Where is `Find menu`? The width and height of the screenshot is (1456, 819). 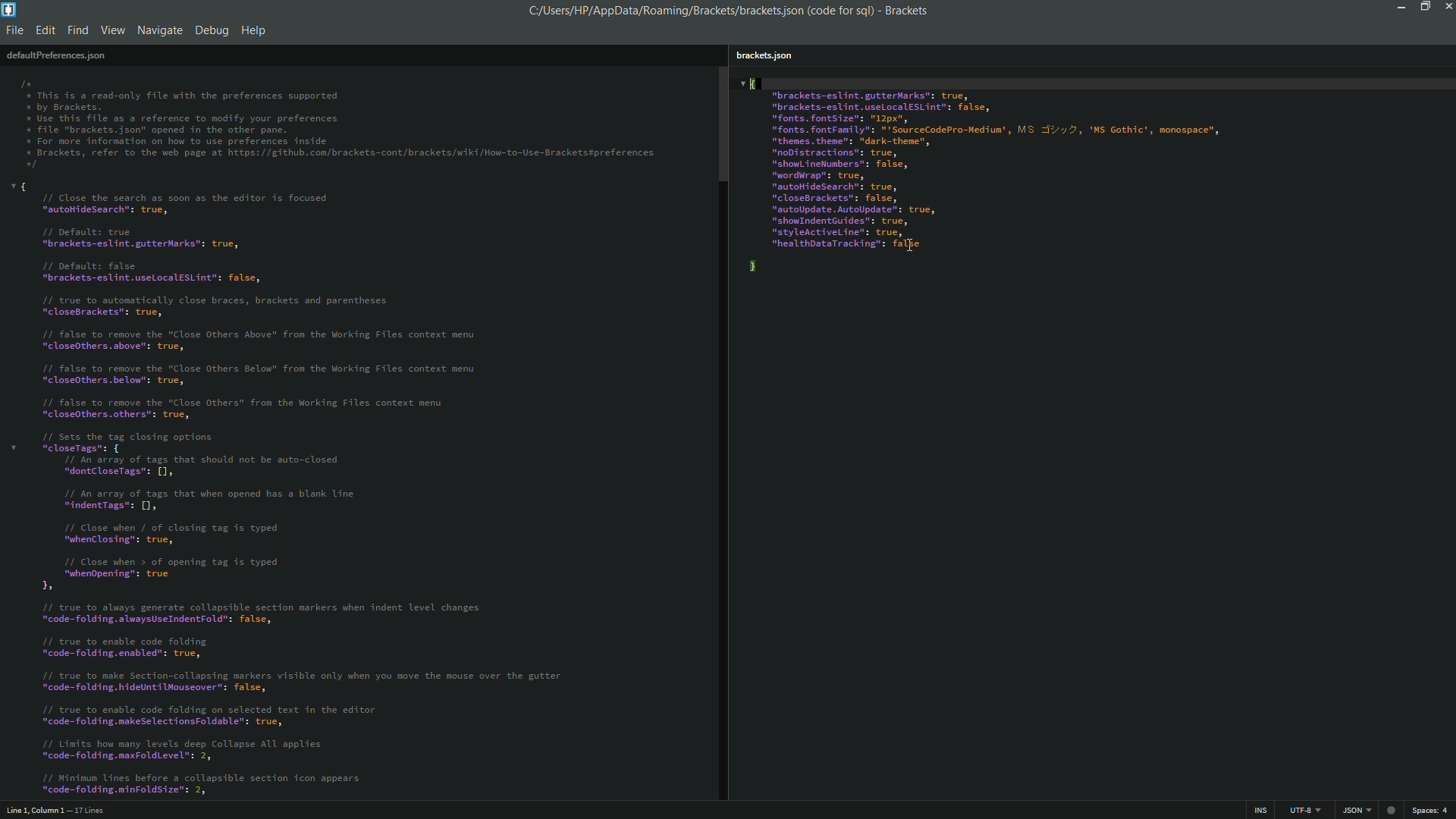 Find menu is located at coordinates (77, 31).